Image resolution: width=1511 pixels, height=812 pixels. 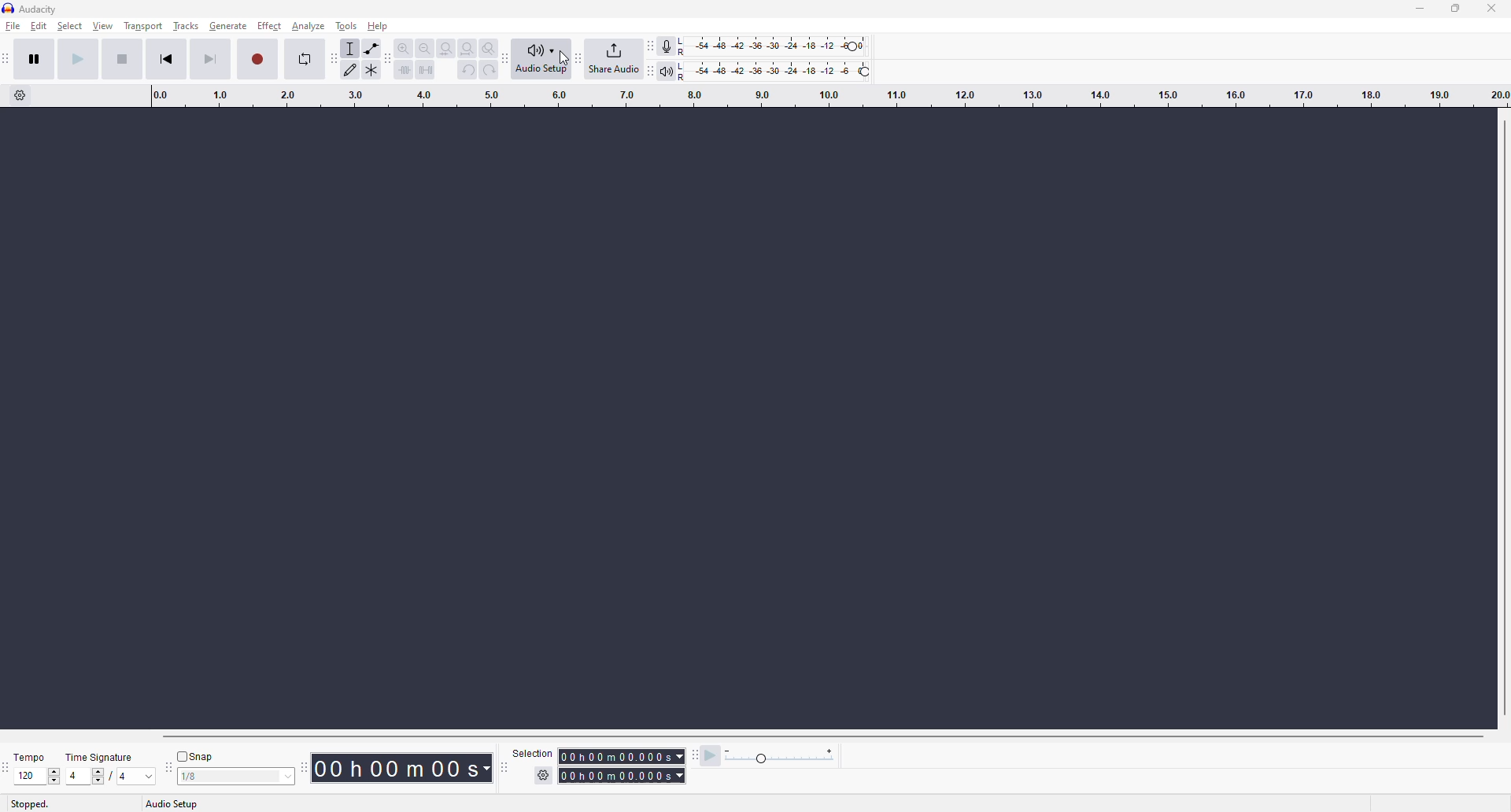 What do you see at coordinates (1494, 9) in the screenshot?
I see `close` at bounding box center [1494, 9].